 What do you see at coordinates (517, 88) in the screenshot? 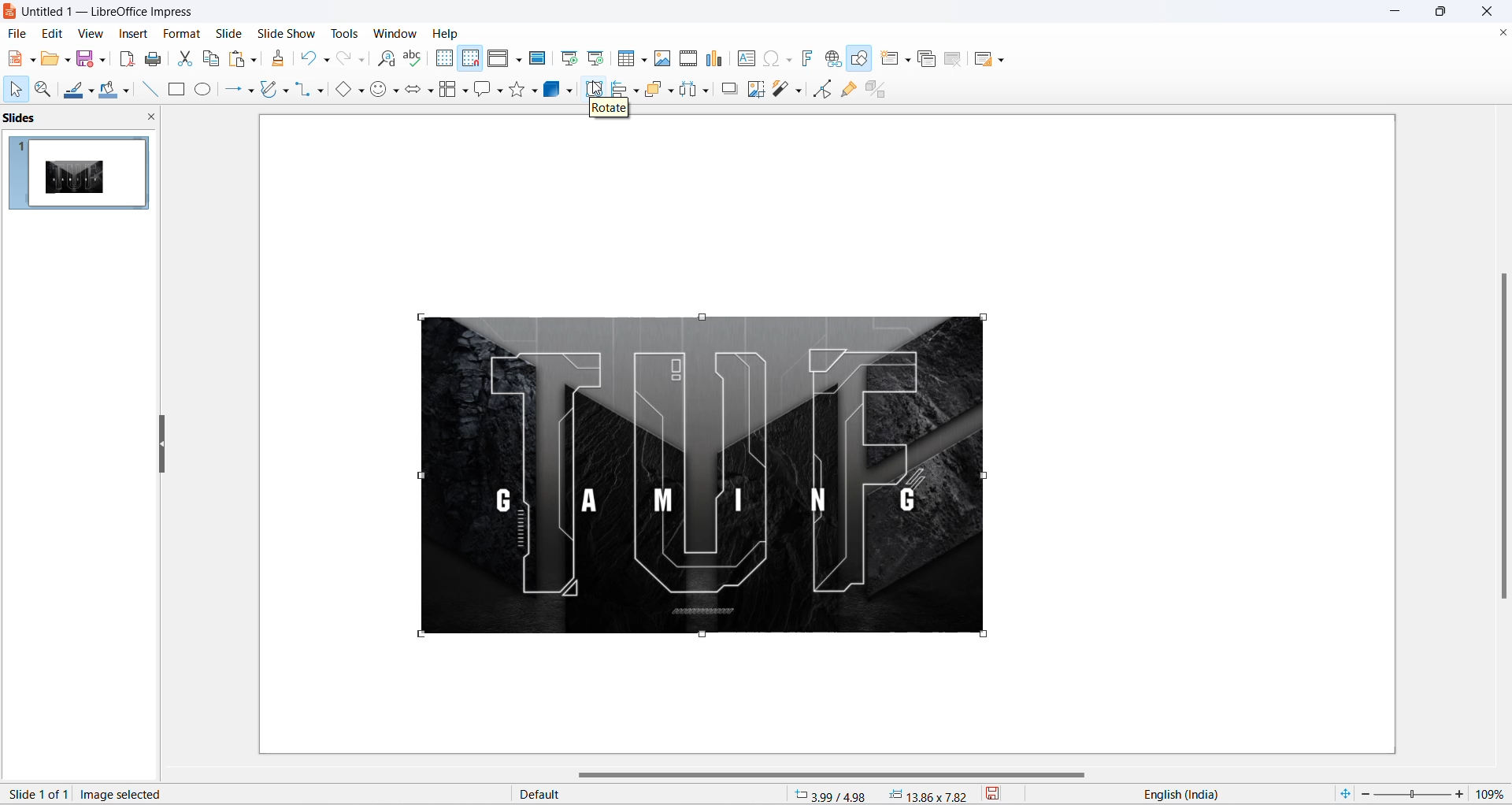
I see `star shape` at bounding box center [517, 88].